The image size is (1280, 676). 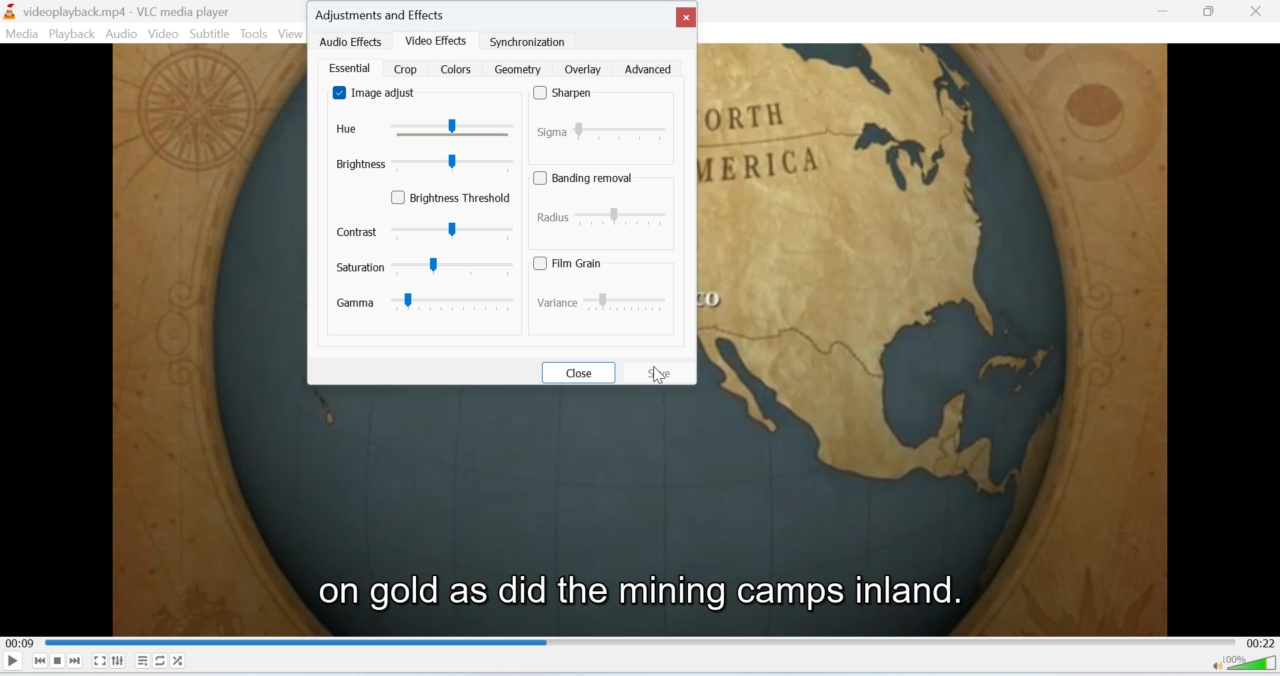 I want to click on Volume, so click(x=1246, y=665).